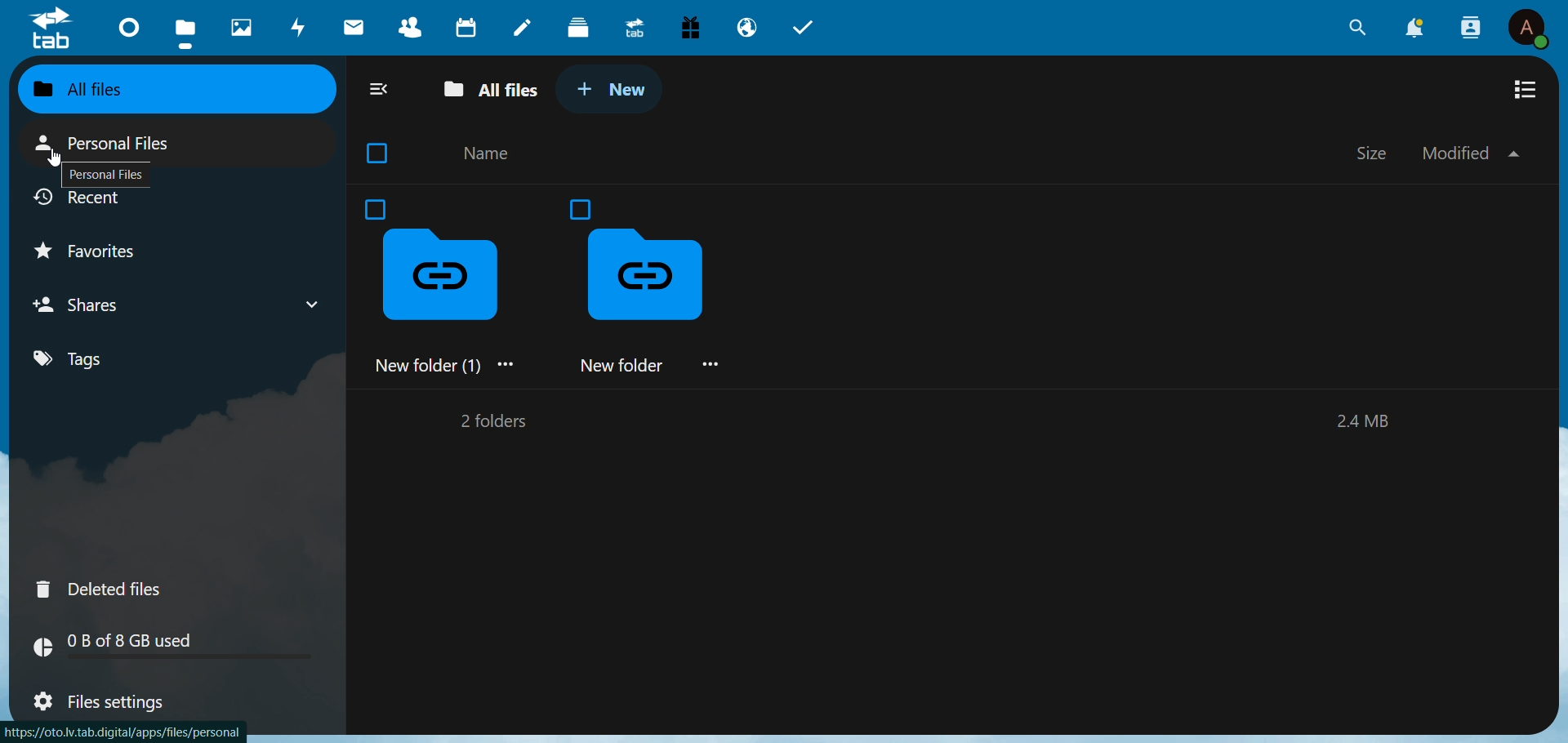  I want to click on contact, so click(408, 25).